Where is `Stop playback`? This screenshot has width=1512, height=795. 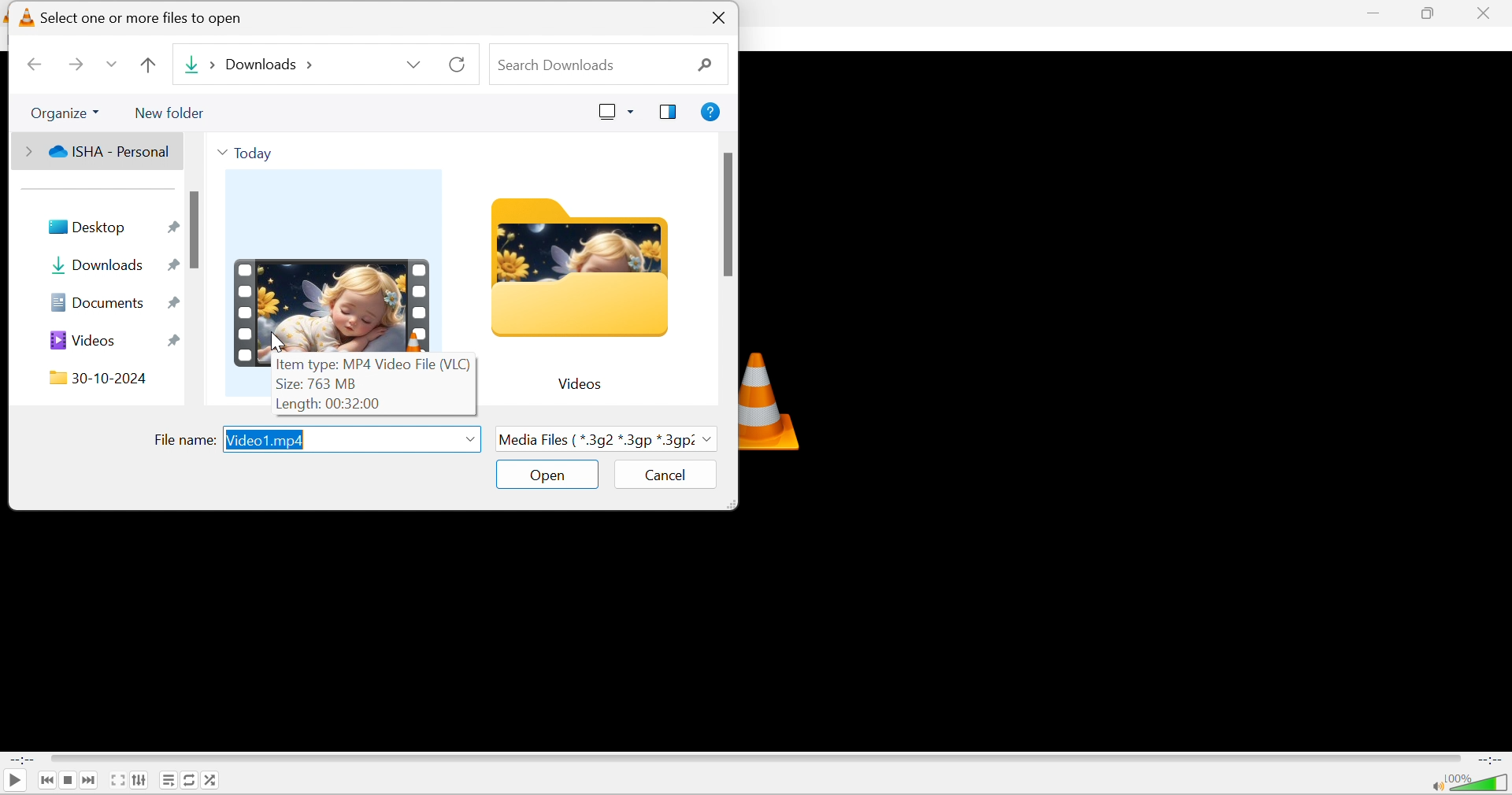
Stop playback is located at coordinates (71, 780).